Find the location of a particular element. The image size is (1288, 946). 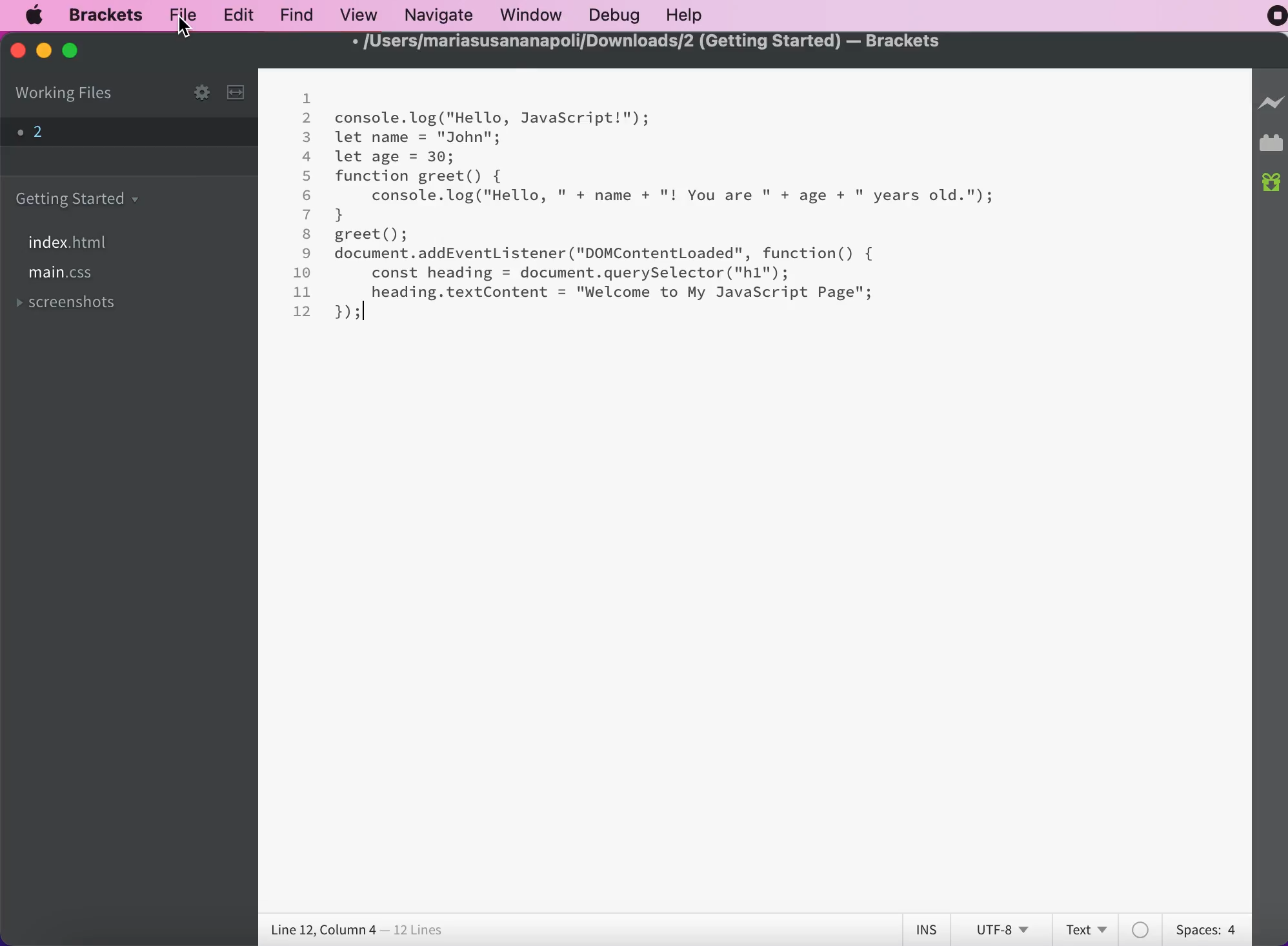

index.html is located at coordinates (74, 243).